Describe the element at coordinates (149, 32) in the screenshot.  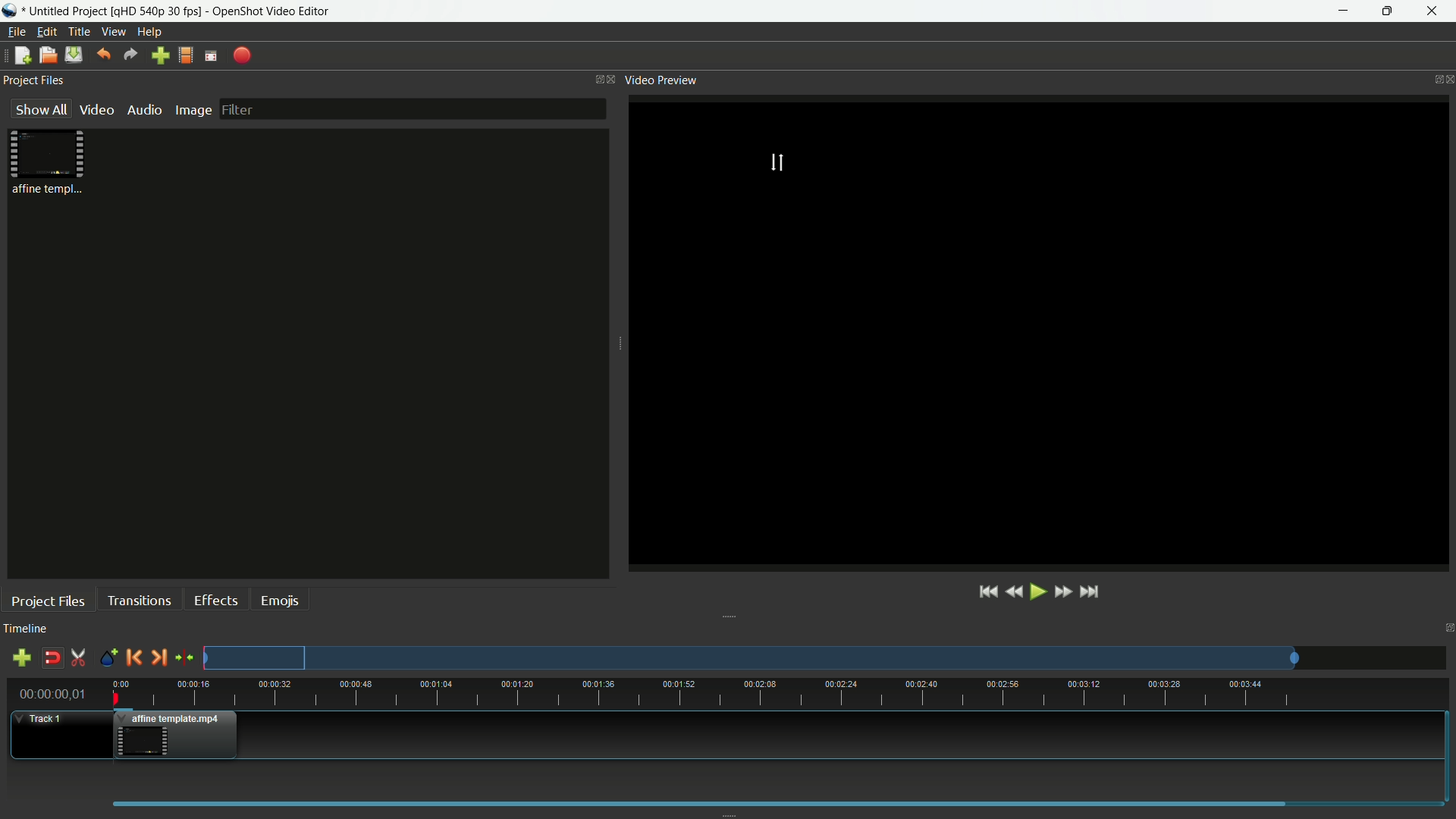
I see `help menu` at that location.